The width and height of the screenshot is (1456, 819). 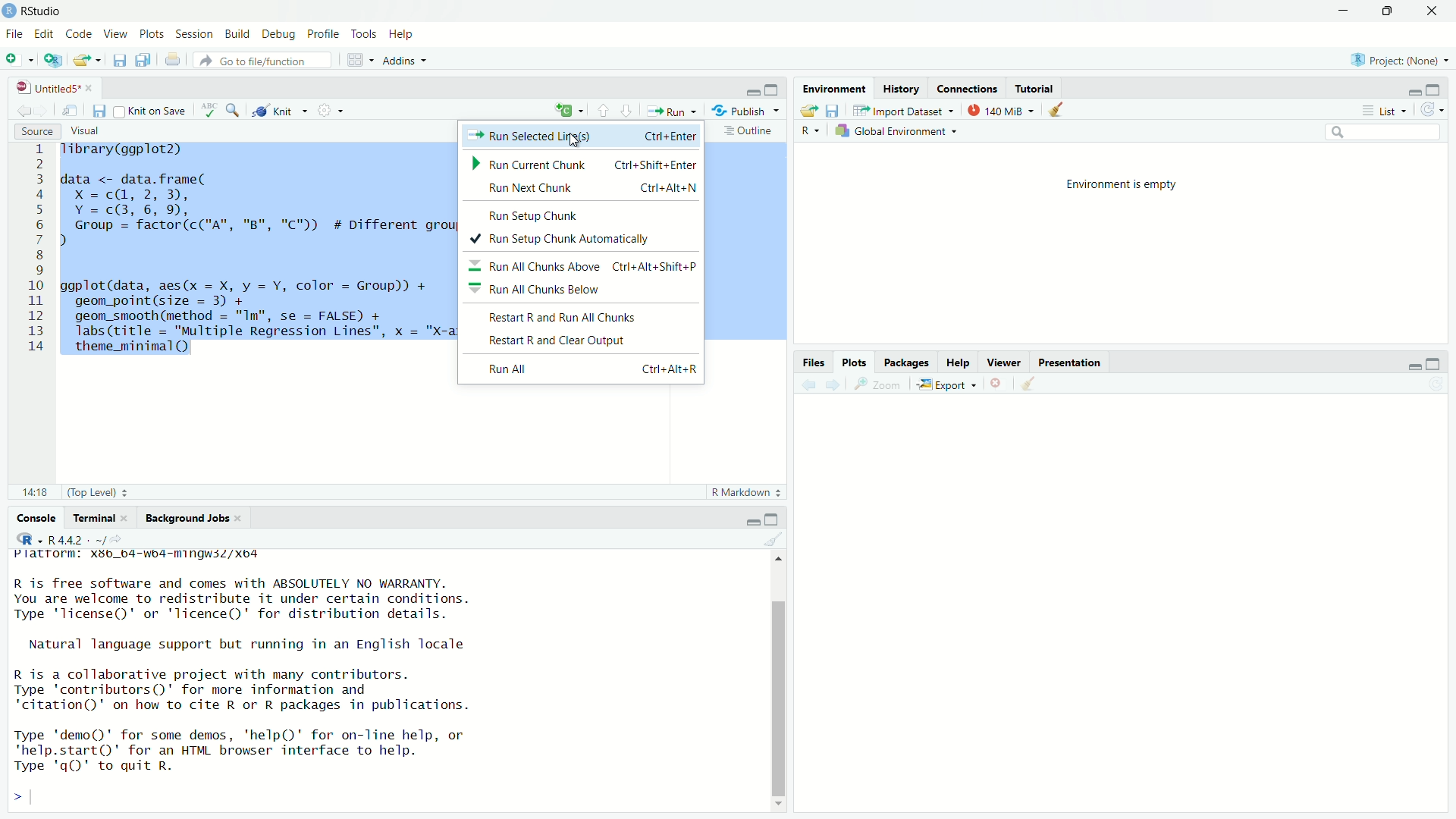 I want to click on Outline, so click(x=749, y=132).